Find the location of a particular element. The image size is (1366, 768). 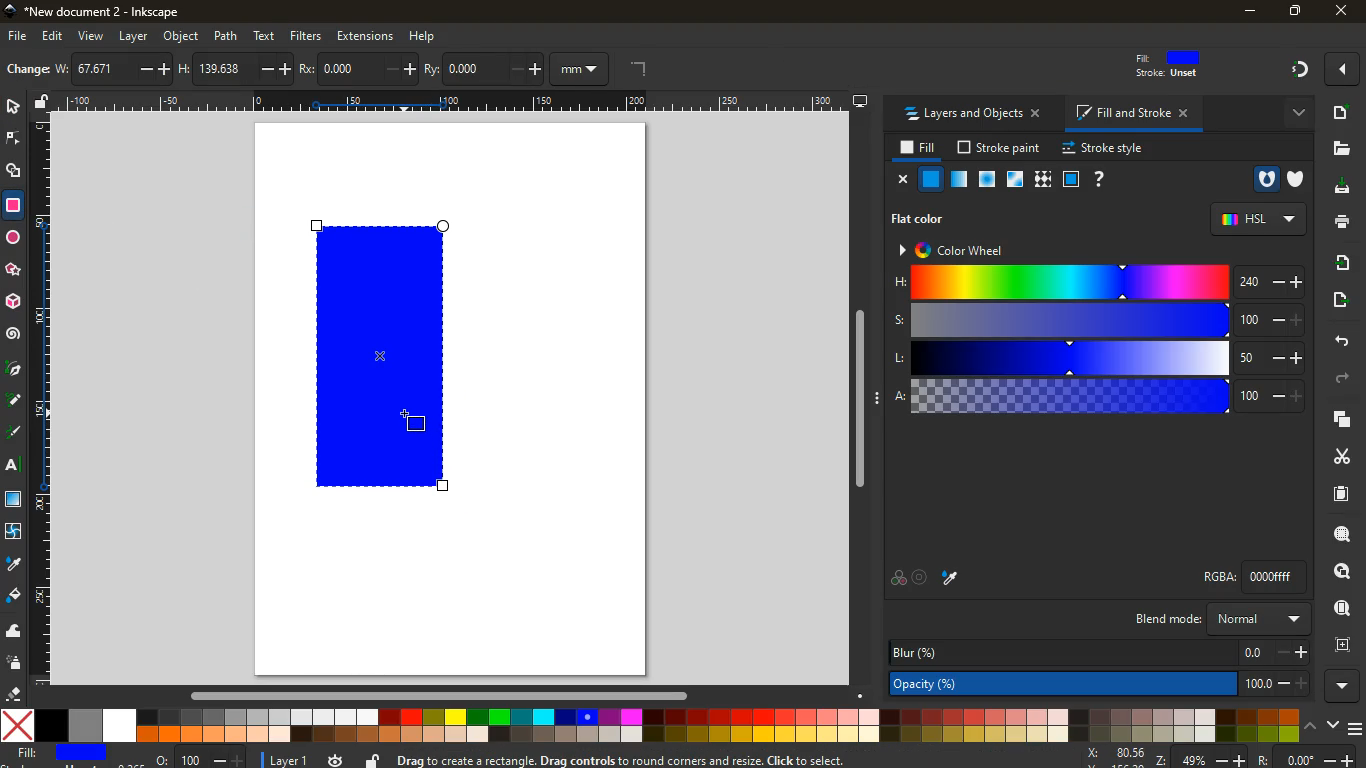

edit is located at coordinates (55, 37).